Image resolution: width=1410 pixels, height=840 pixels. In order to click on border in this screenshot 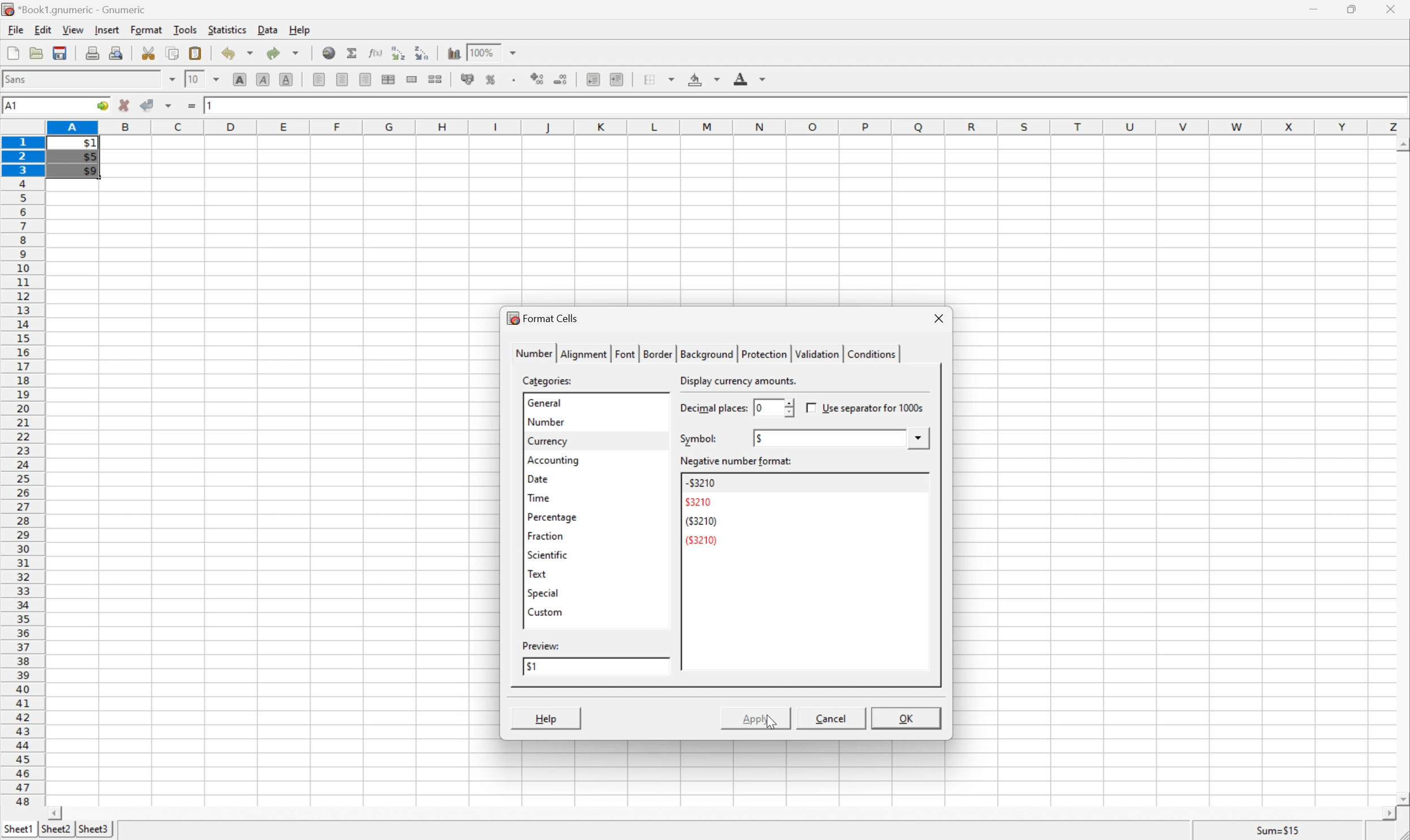, I will do `click(656, 353)`.